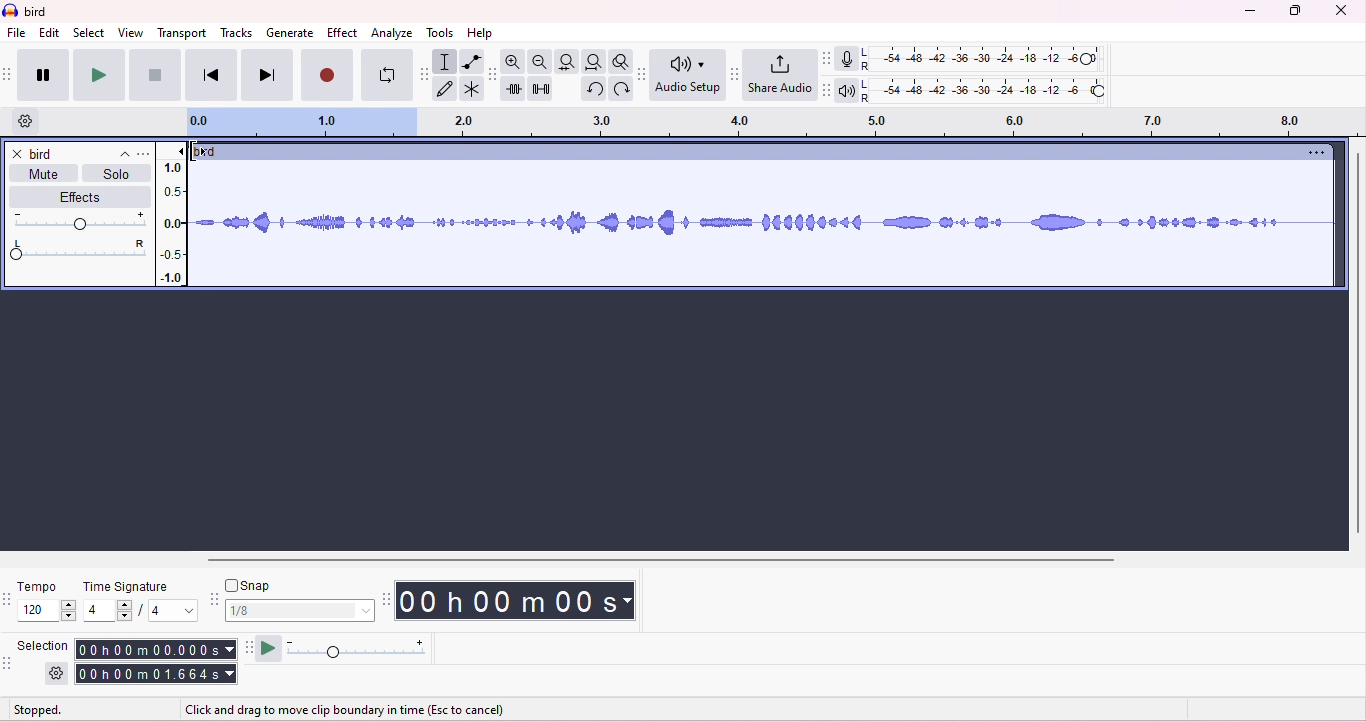 This screenshot has width=1366, height=722. I want to click on zoom in, so click(541, 62).